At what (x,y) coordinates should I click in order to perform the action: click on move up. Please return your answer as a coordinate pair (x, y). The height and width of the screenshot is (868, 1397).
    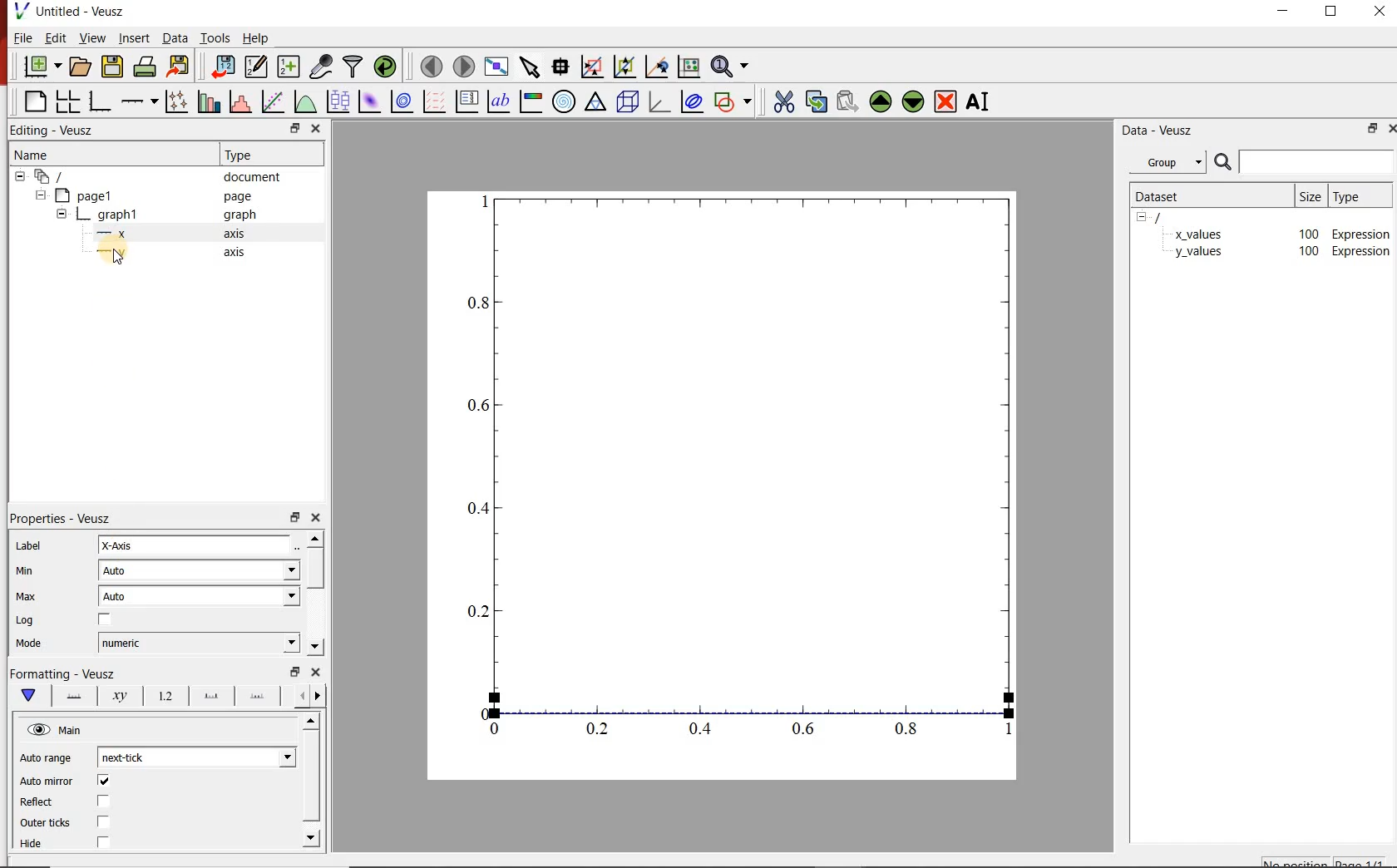
    Looking at the image, I should click on (313, 538).